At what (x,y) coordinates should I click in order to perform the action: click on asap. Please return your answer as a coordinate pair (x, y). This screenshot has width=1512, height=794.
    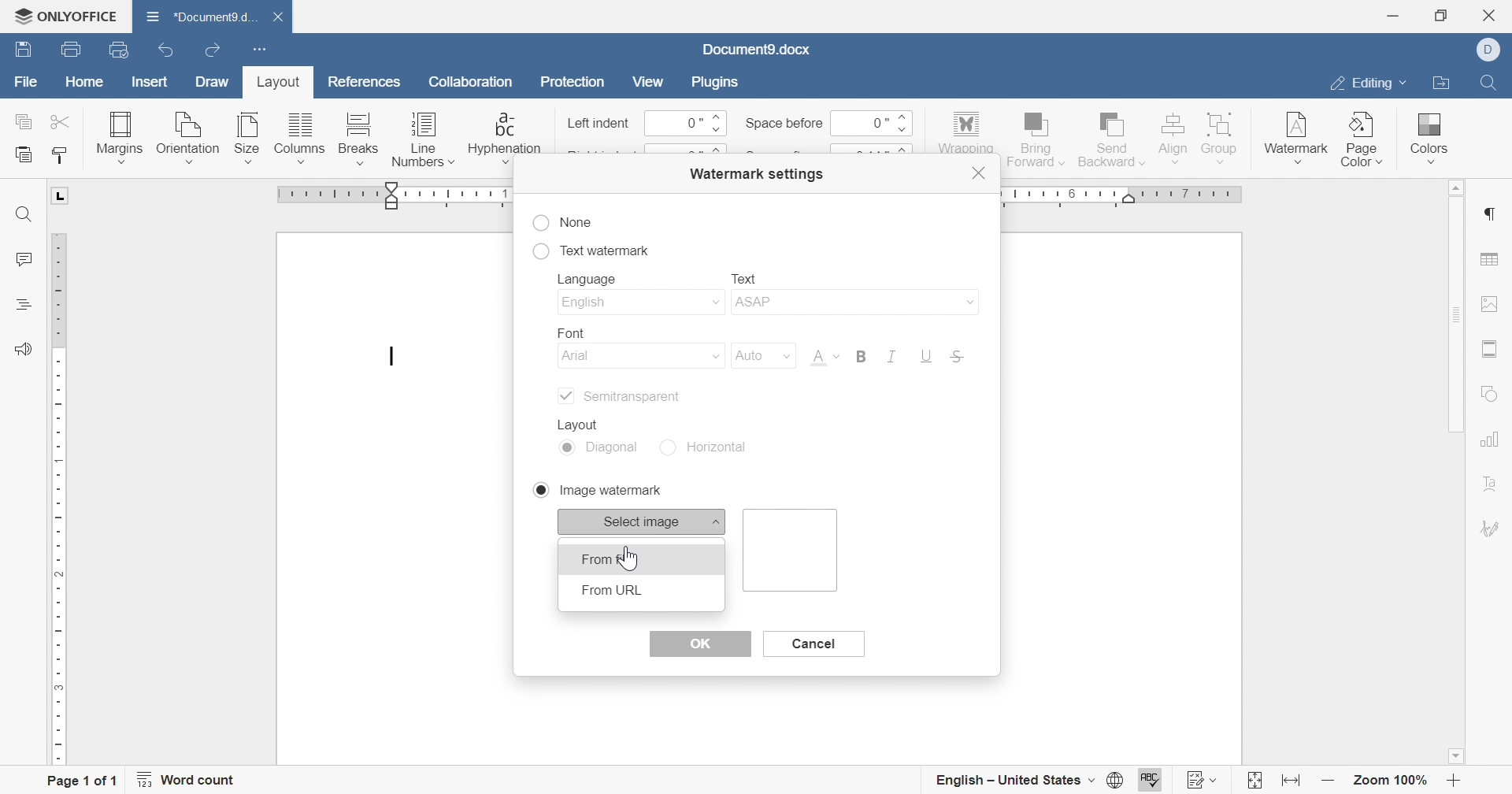
    Looking at the image, I should click on (853, 305).